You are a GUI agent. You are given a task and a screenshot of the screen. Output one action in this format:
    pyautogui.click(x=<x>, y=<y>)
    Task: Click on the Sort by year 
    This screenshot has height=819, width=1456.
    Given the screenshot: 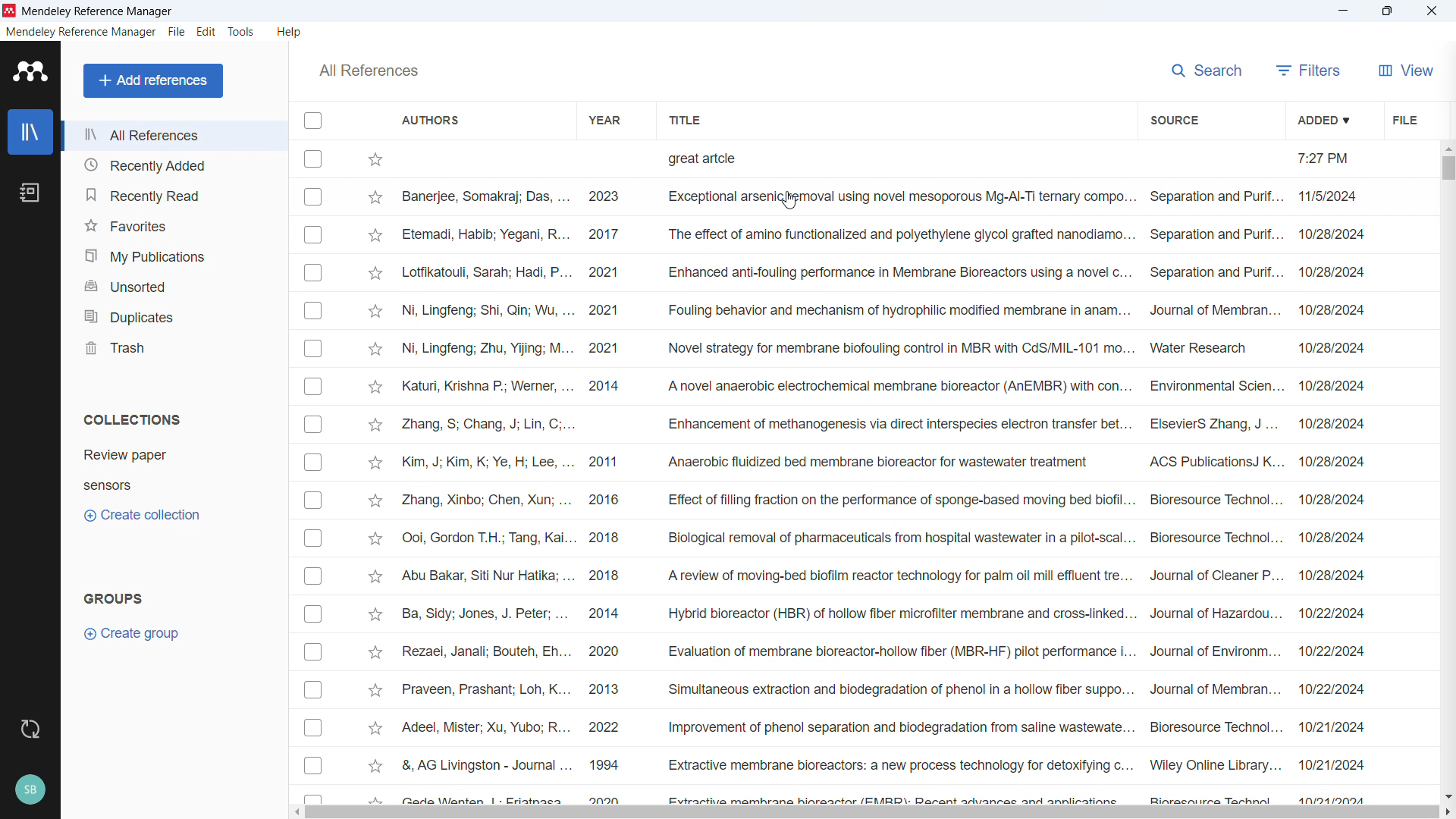 What is the action you would take?
    pyautogui.click(x=604, y=119)
    